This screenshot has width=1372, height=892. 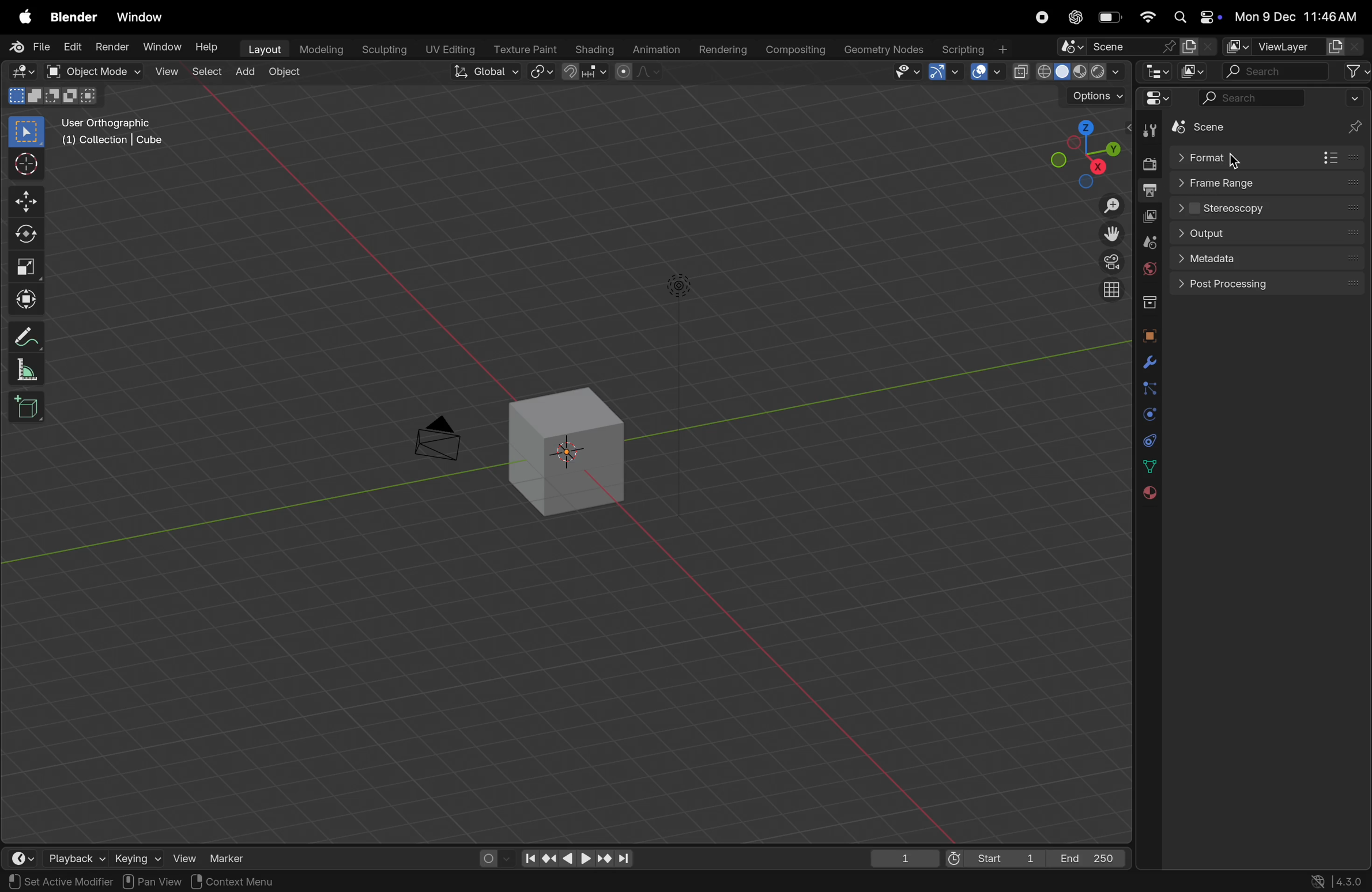 What do you see at coordinates (492, 856) in the screenshot?
I see `auto keying` at bounding box center [492, 856].